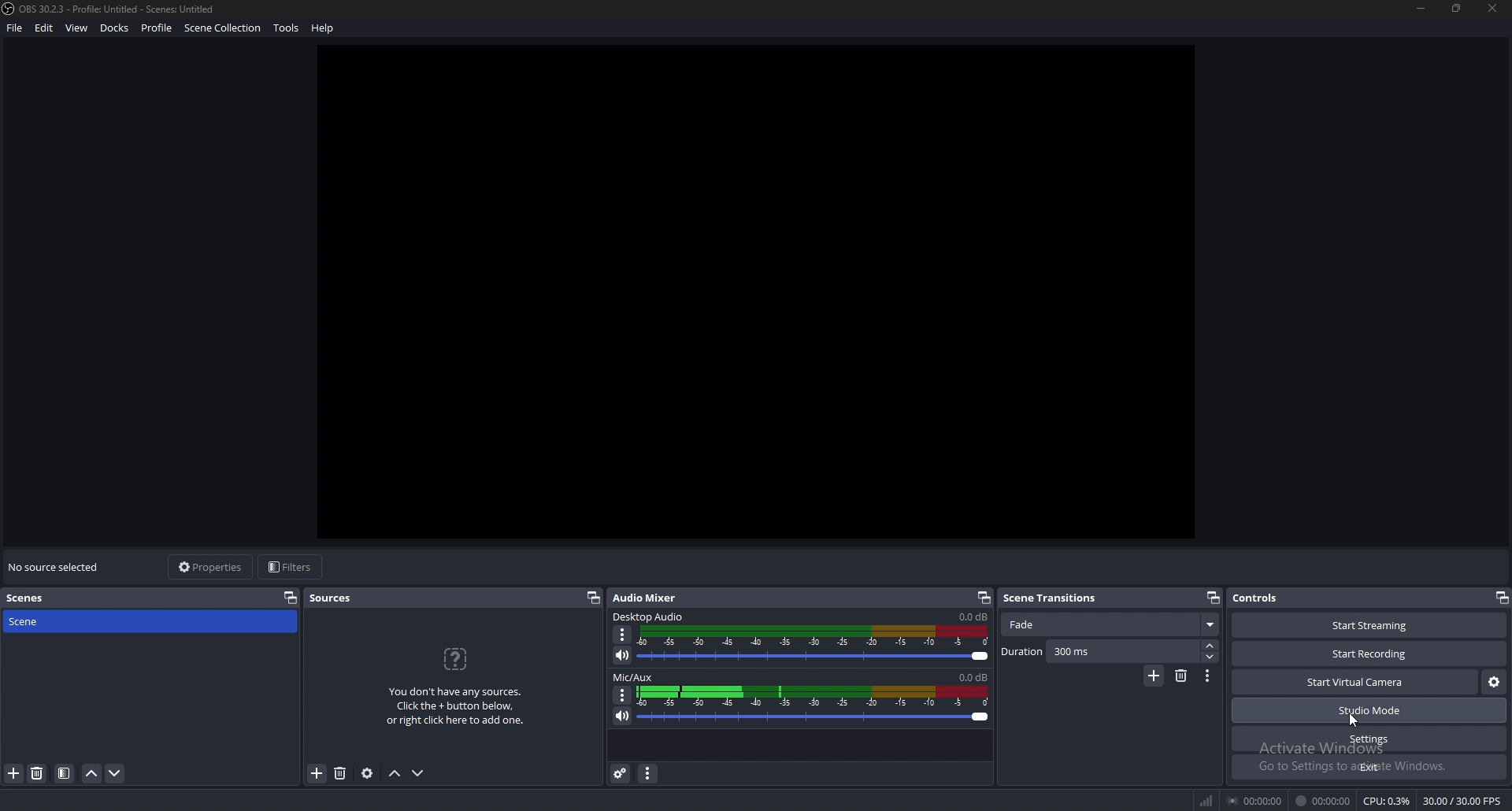 The image size is (1512, 811). I want to click on audio mixer menu, so click(649, 774).